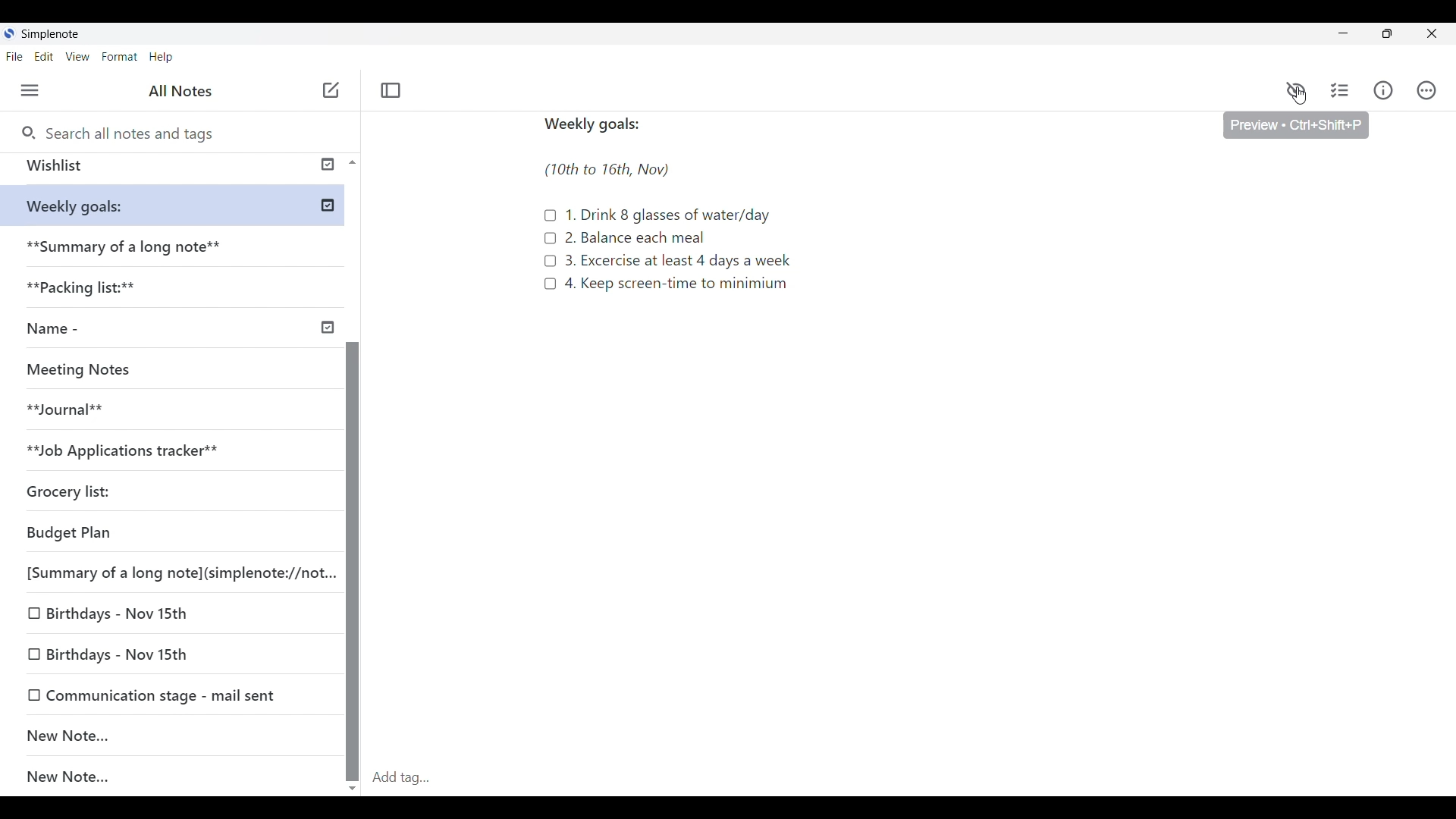 This screenshot has height=819, width=1456. What do you see at coordinates (153, 616) in the screenshot?
I see `Birthdays - Nov 15th` at bounding box center [153, 616].